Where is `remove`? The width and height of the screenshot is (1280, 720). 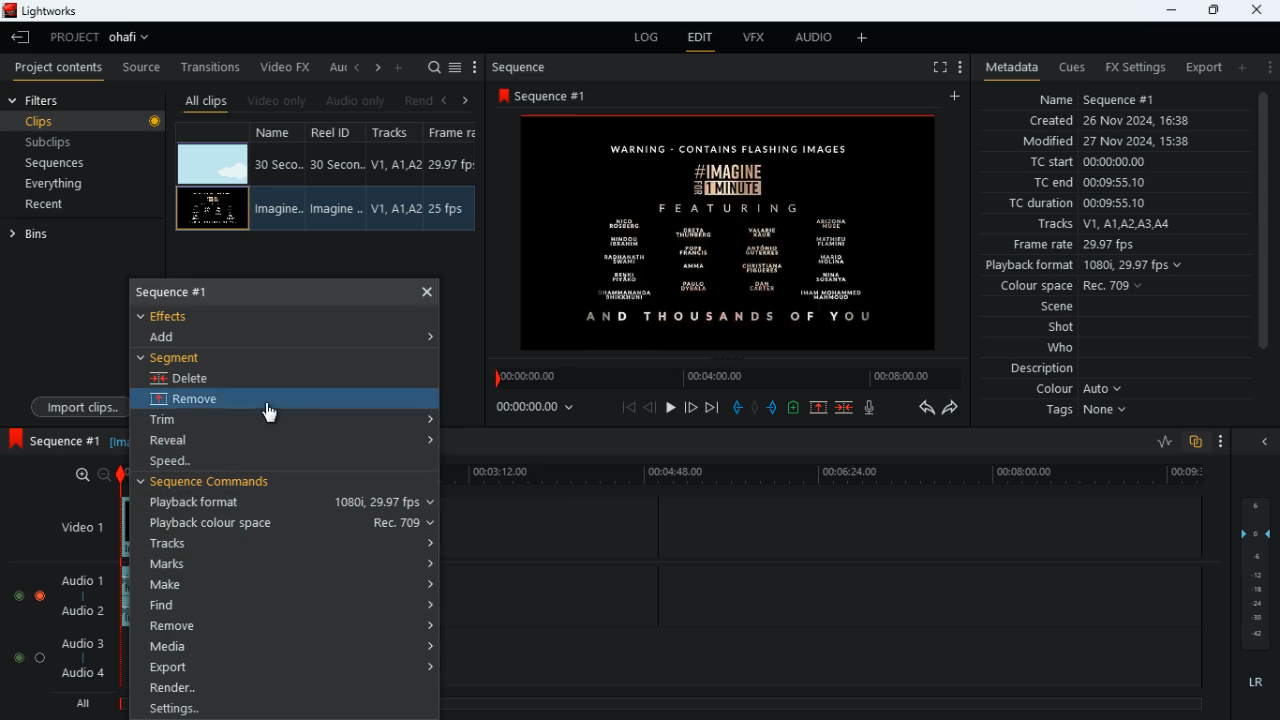 remove is located at coordinates (188, 400).